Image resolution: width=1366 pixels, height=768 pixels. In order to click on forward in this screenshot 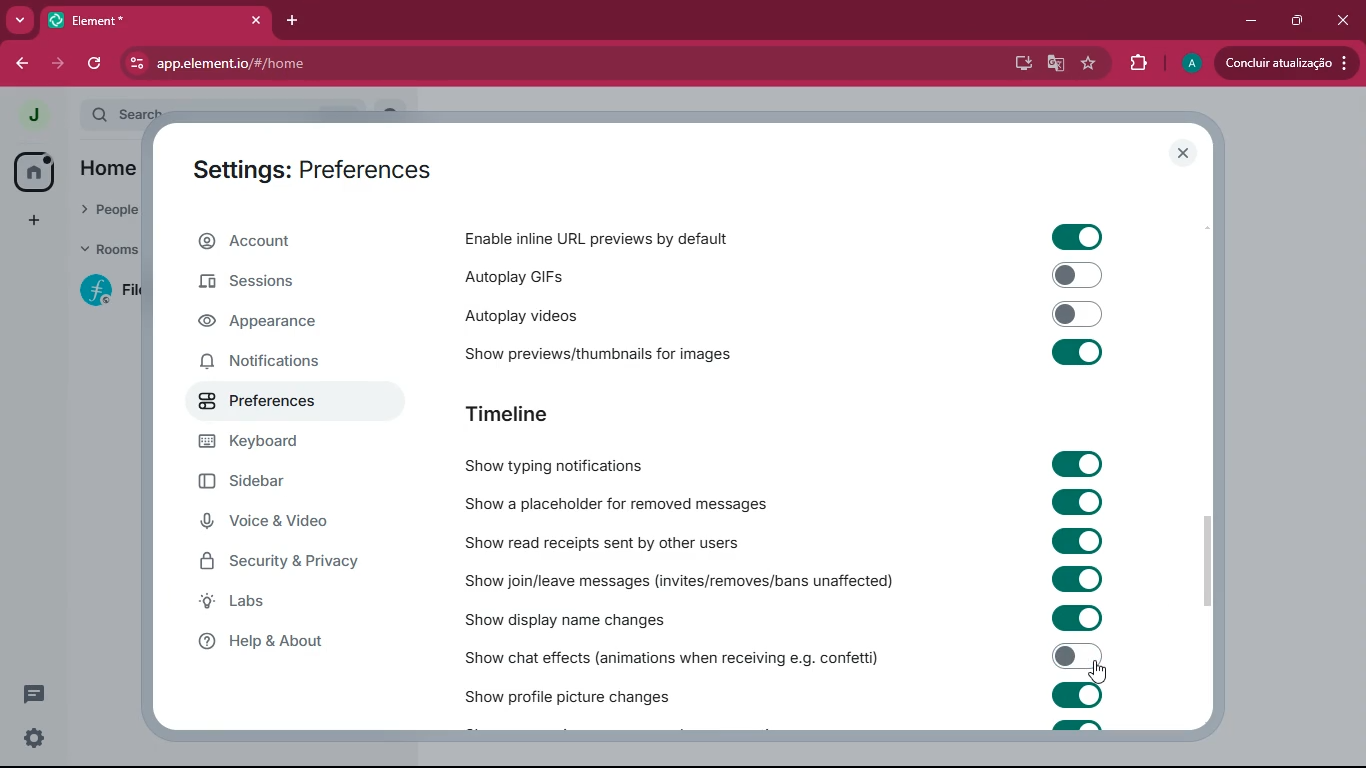, I will do `click(60, 64)`.